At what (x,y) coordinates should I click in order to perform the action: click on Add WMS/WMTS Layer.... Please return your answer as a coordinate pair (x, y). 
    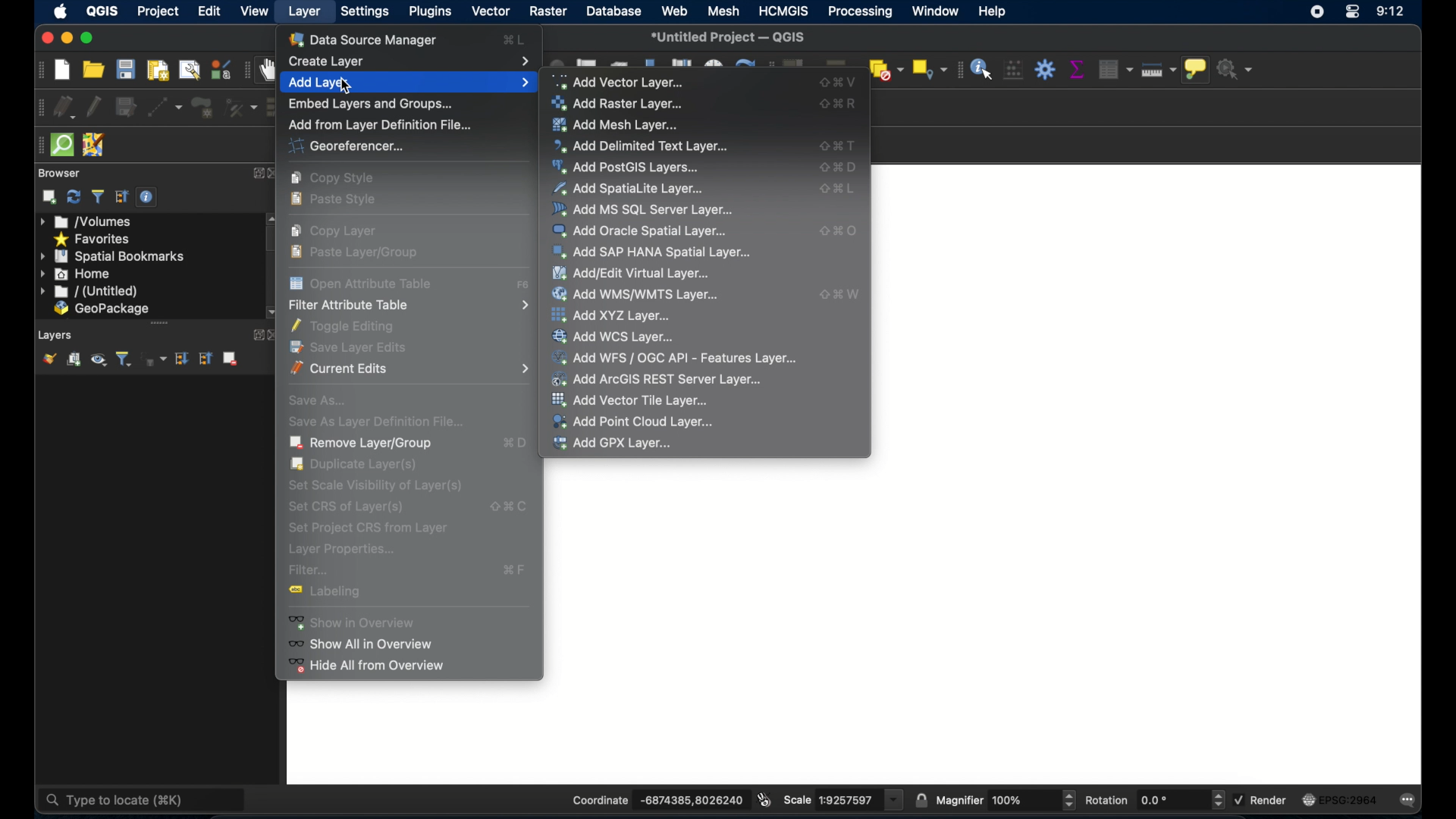
    Looking at the image, I should click on (704, 295).